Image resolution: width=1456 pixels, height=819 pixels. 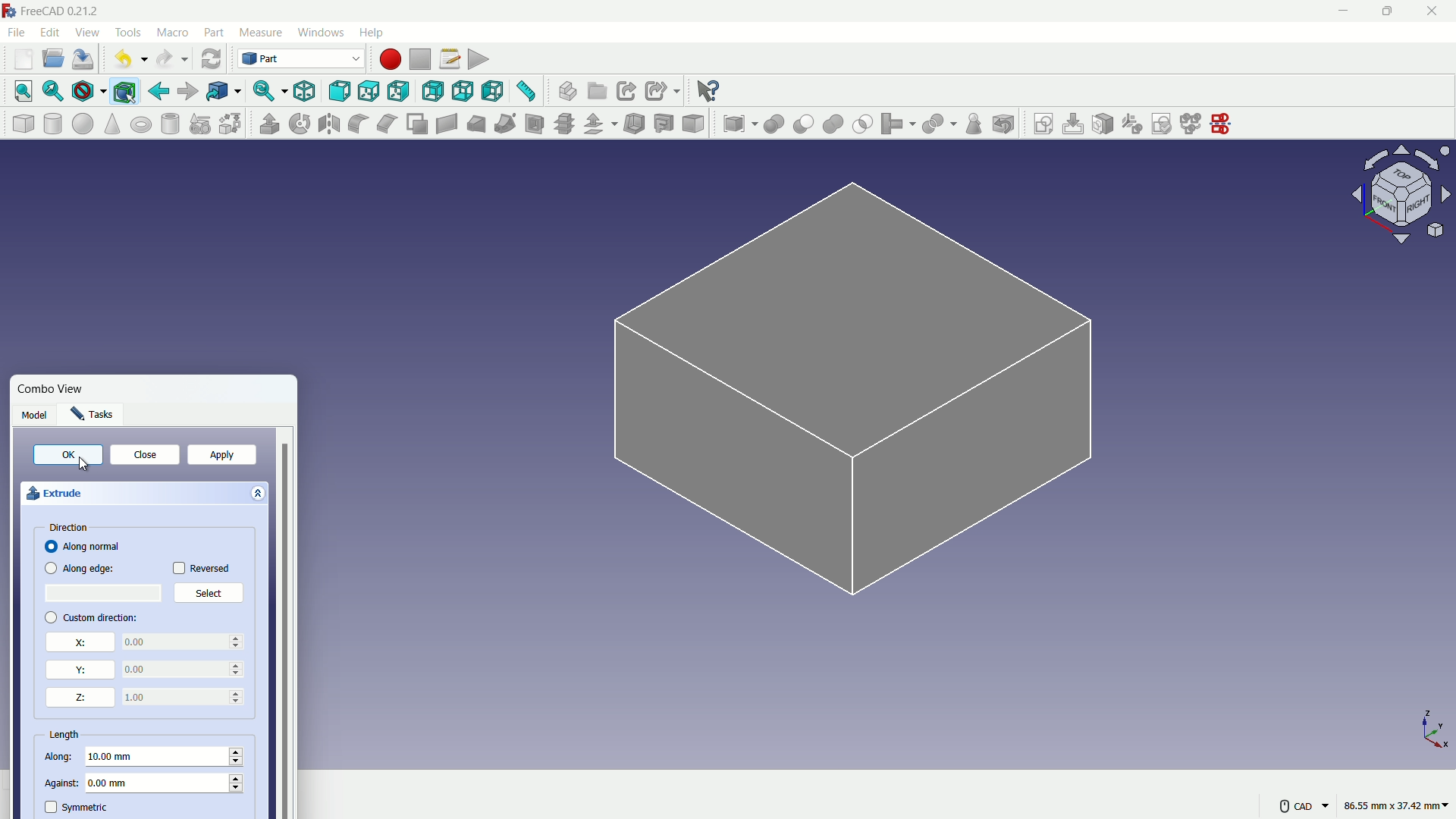 What do you see at coordinates (128, 33) in the screenshot?
I see `tools` at bounding box center [128, 33].